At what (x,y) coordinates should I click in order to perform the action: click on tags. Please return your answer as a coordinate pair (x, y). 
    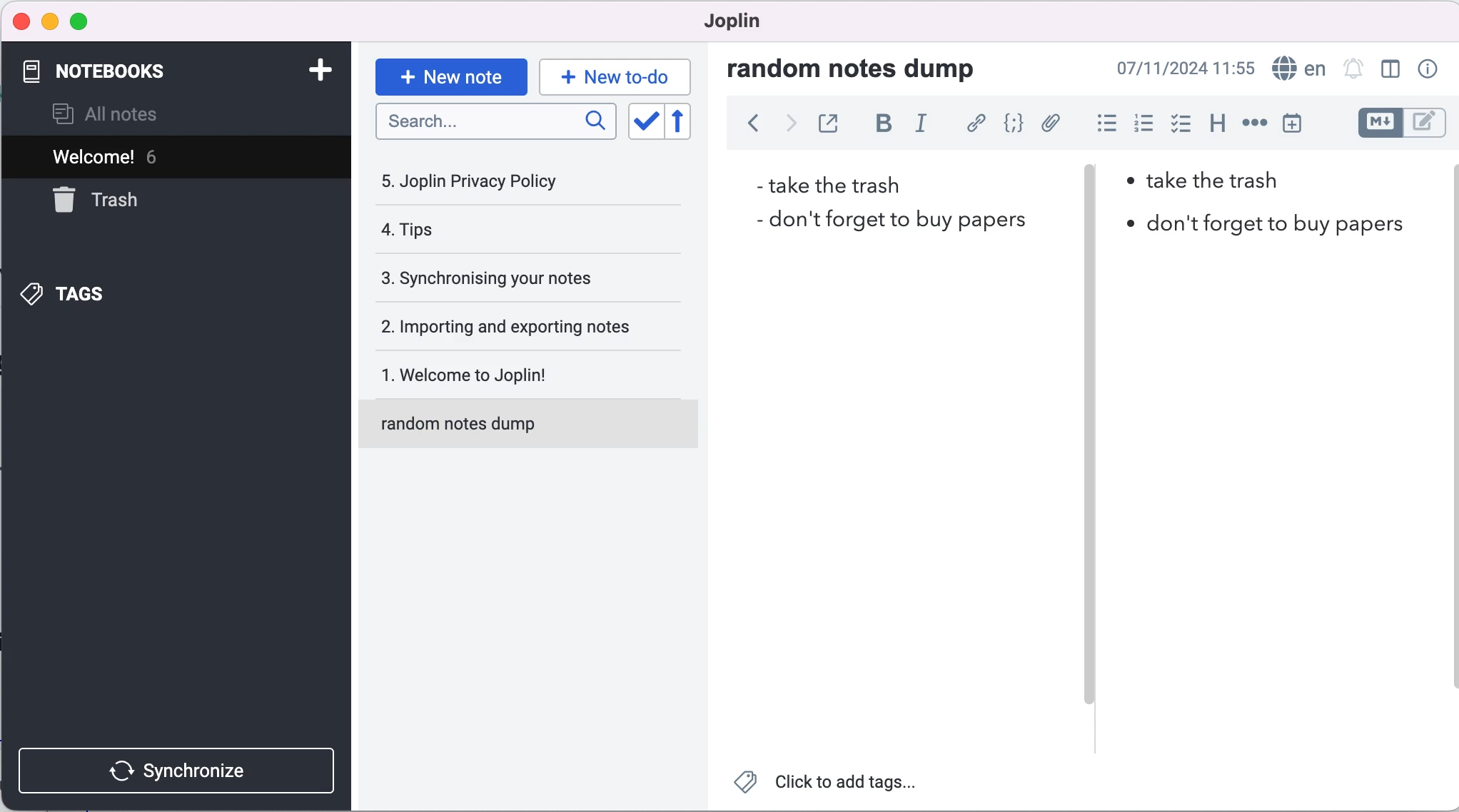
    Looking at the image, I should click on (106, 293).